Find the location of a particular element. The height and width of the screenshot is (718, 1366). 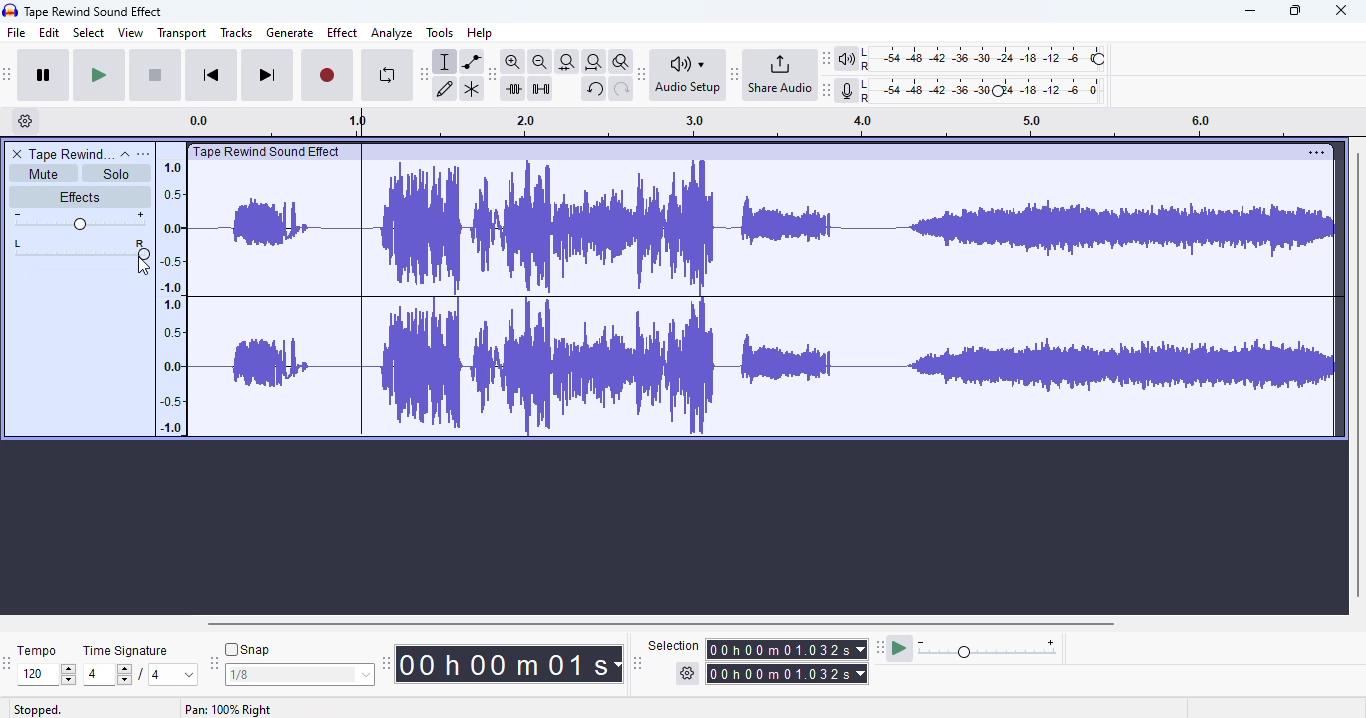

vertical scroll bar is located at coordinates (1357, 374).